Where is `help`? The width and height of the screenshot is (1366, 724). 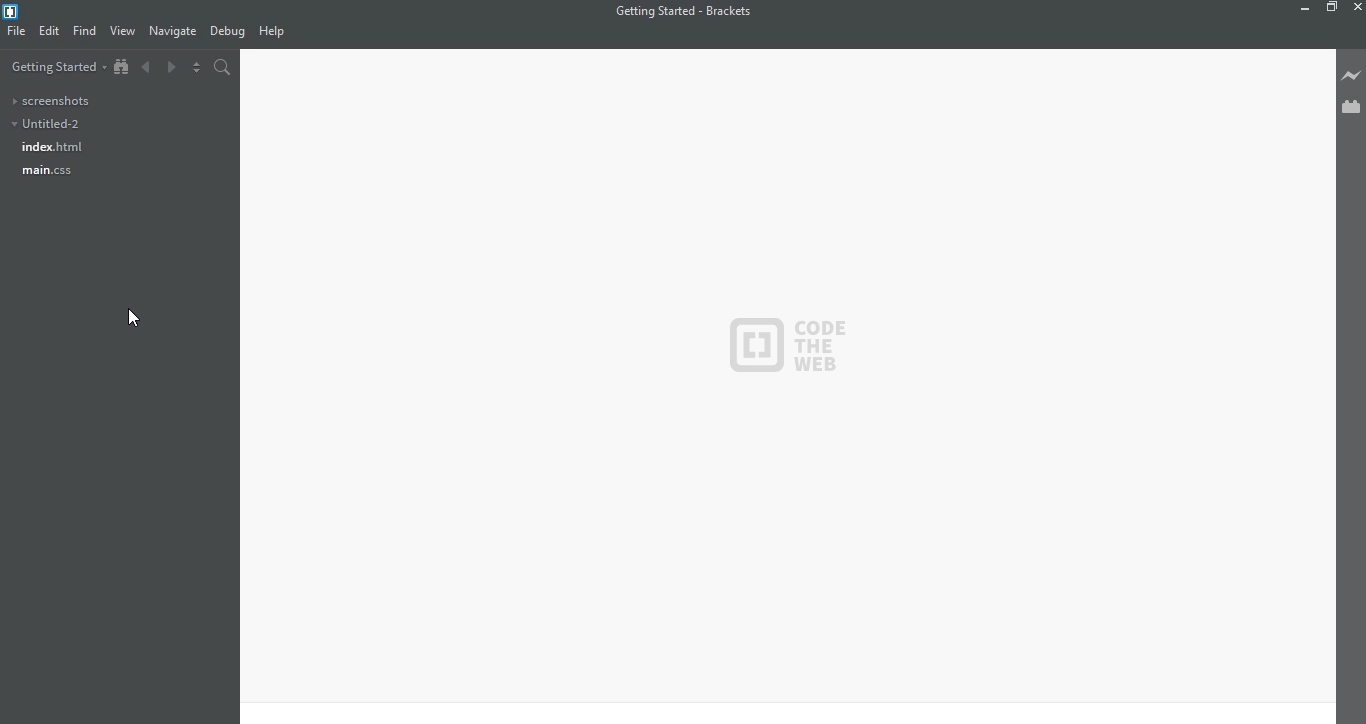 help is located at coordinates (279, 30).